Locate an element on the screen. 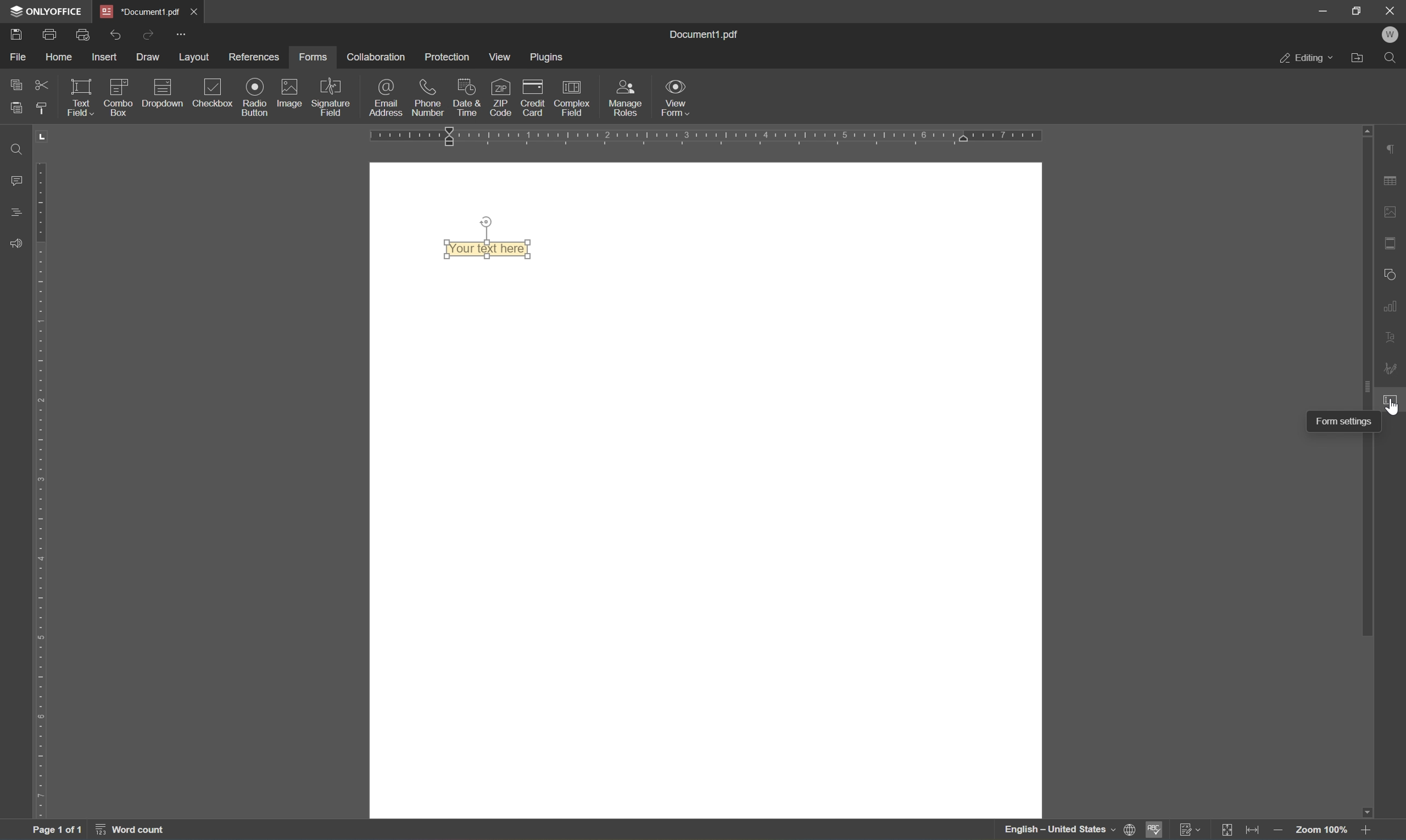 This screenshot has width=1406, height=840. phone number is located at coordinates (428, 98).